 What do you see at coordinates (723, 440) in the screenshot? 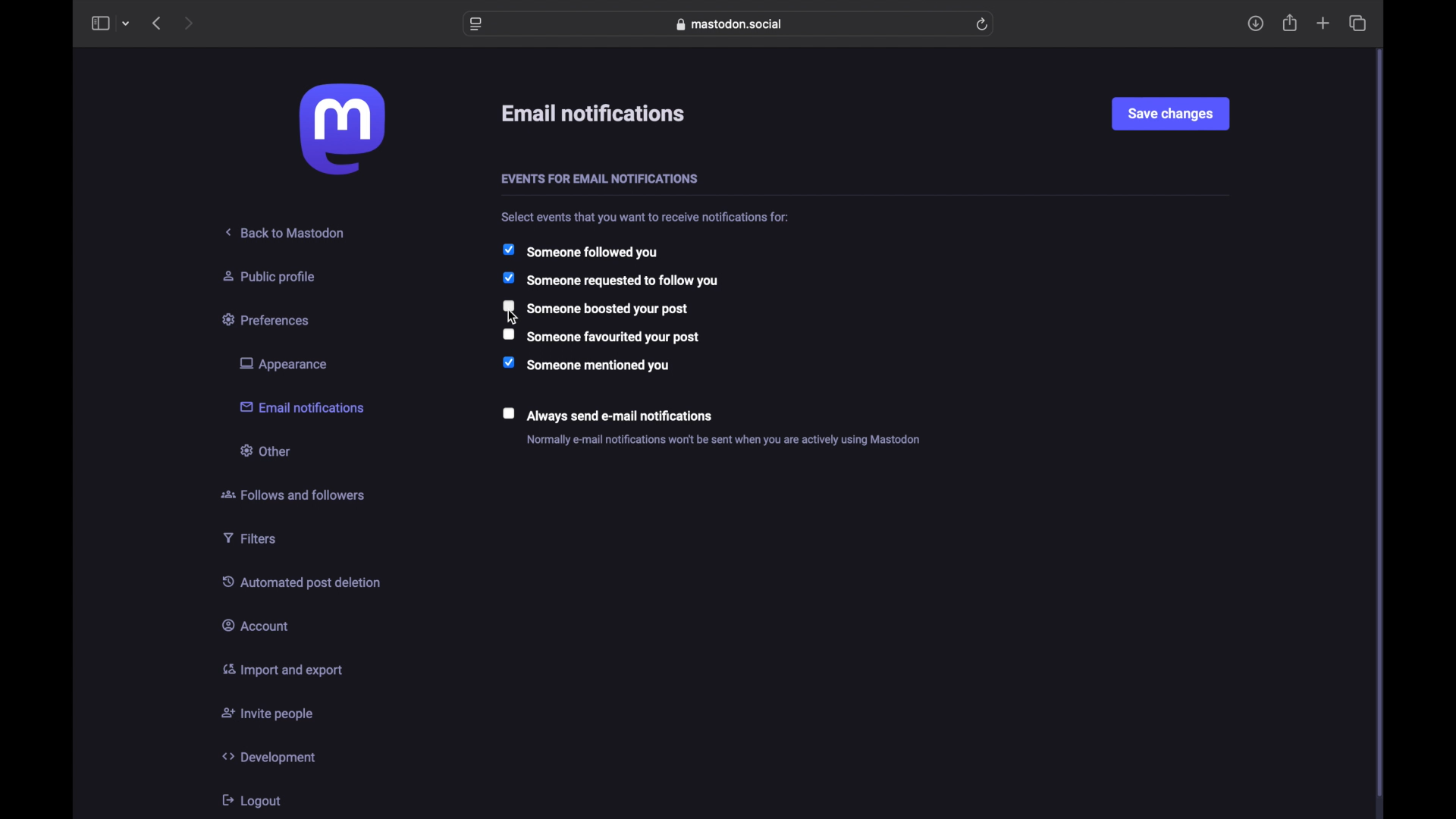
I see `info` at bounding box center [723, 440].